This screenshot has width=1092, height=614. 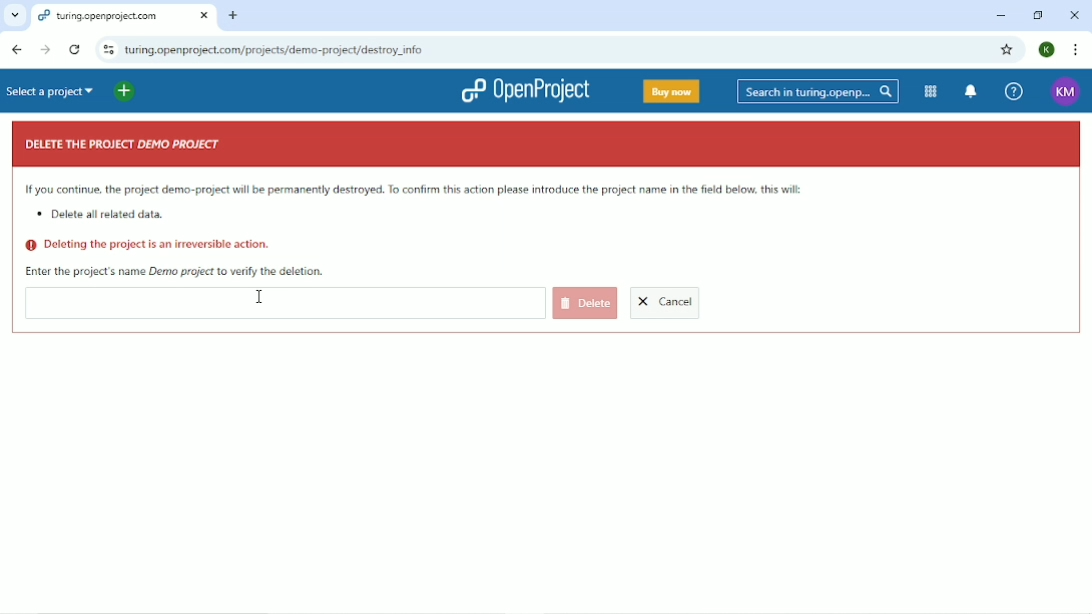 What do you see at coordinates (122, 17) in the screenshot?
I see `turing.openproject.com` at bounding box center [122, 17].